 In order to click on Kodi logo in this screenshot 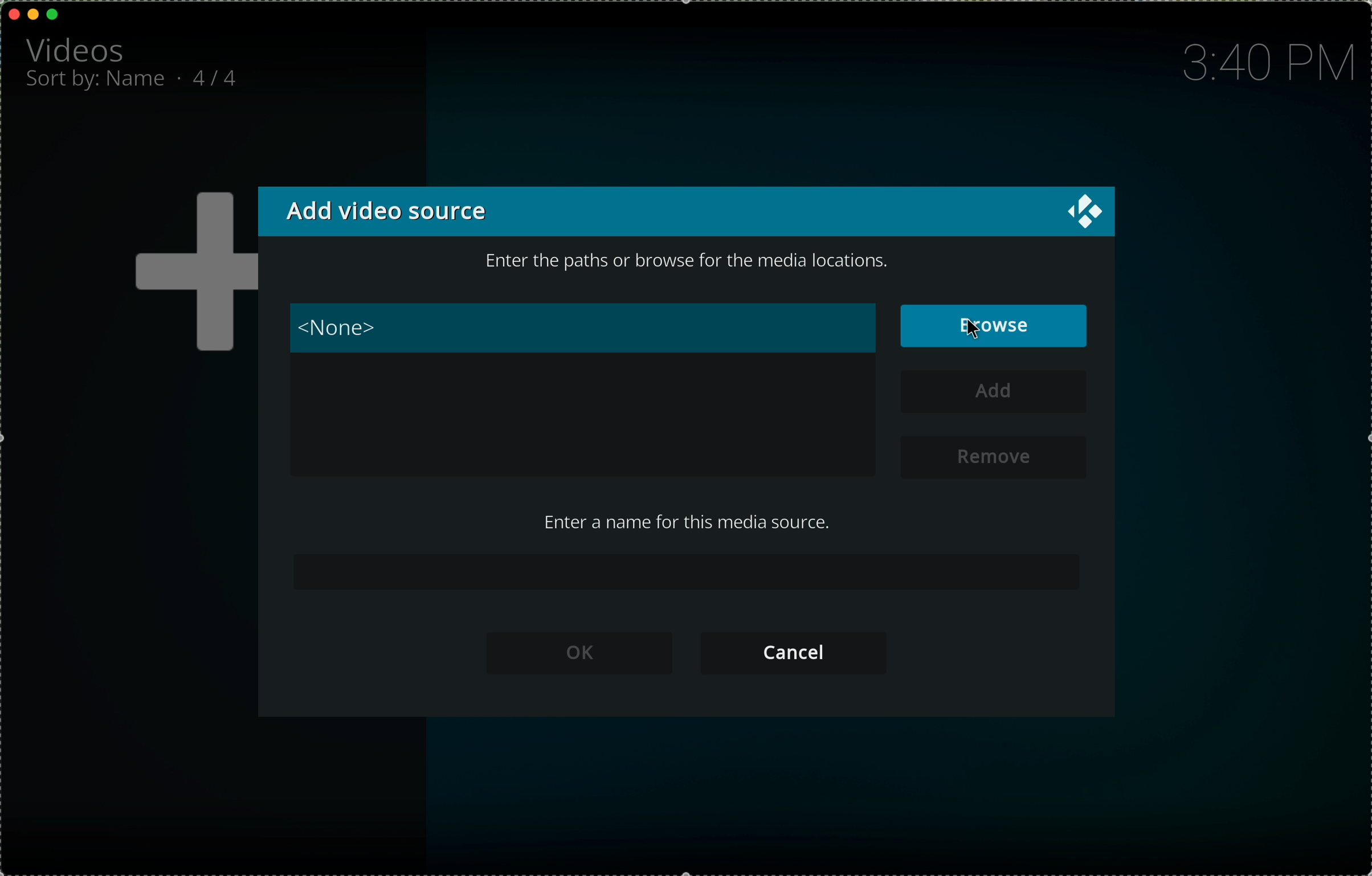, I will do `click(1084, 212)`.